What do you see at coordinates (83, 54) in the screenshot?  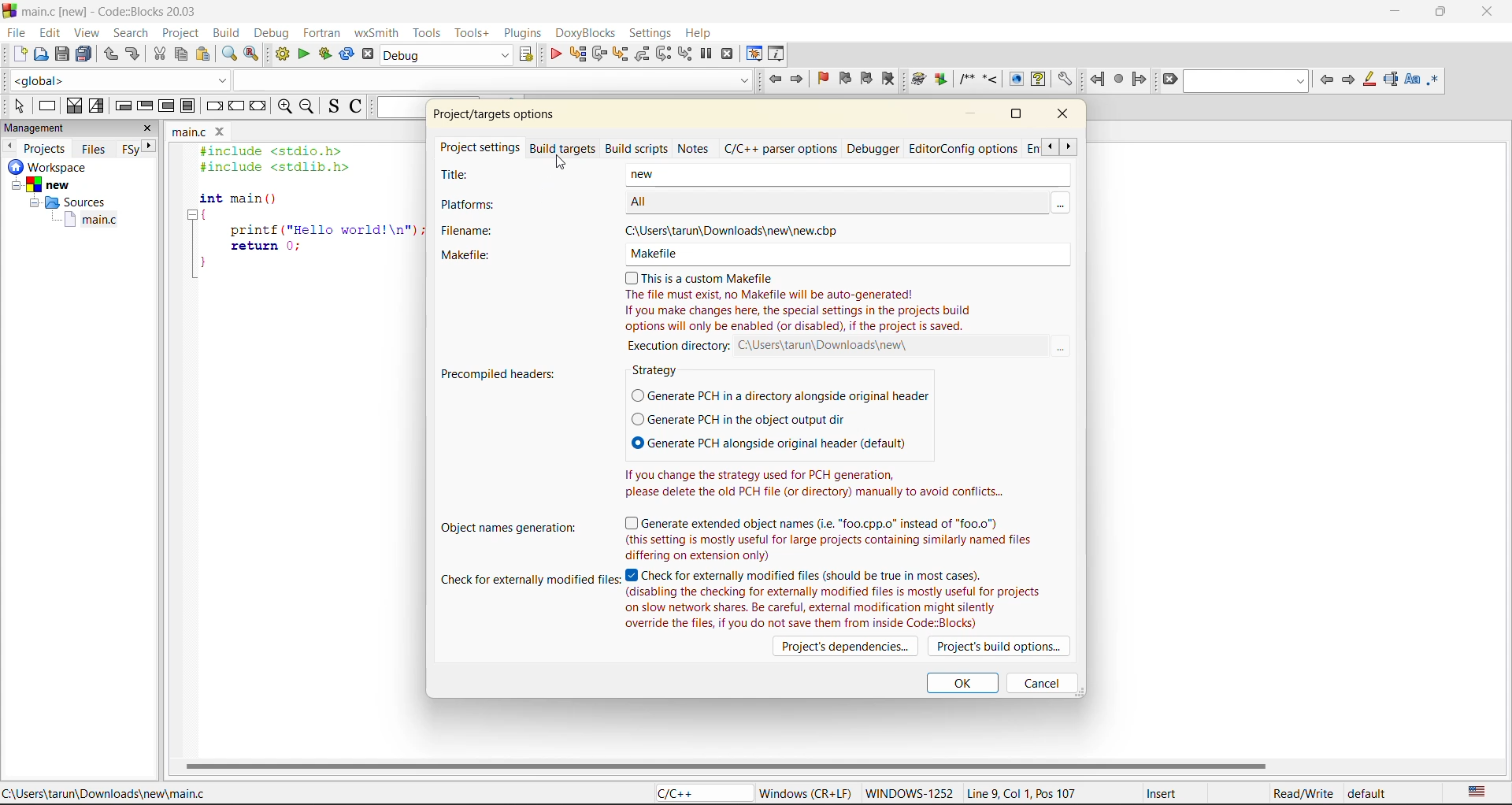 I see `save everytime` at bounding box center [83, 54].